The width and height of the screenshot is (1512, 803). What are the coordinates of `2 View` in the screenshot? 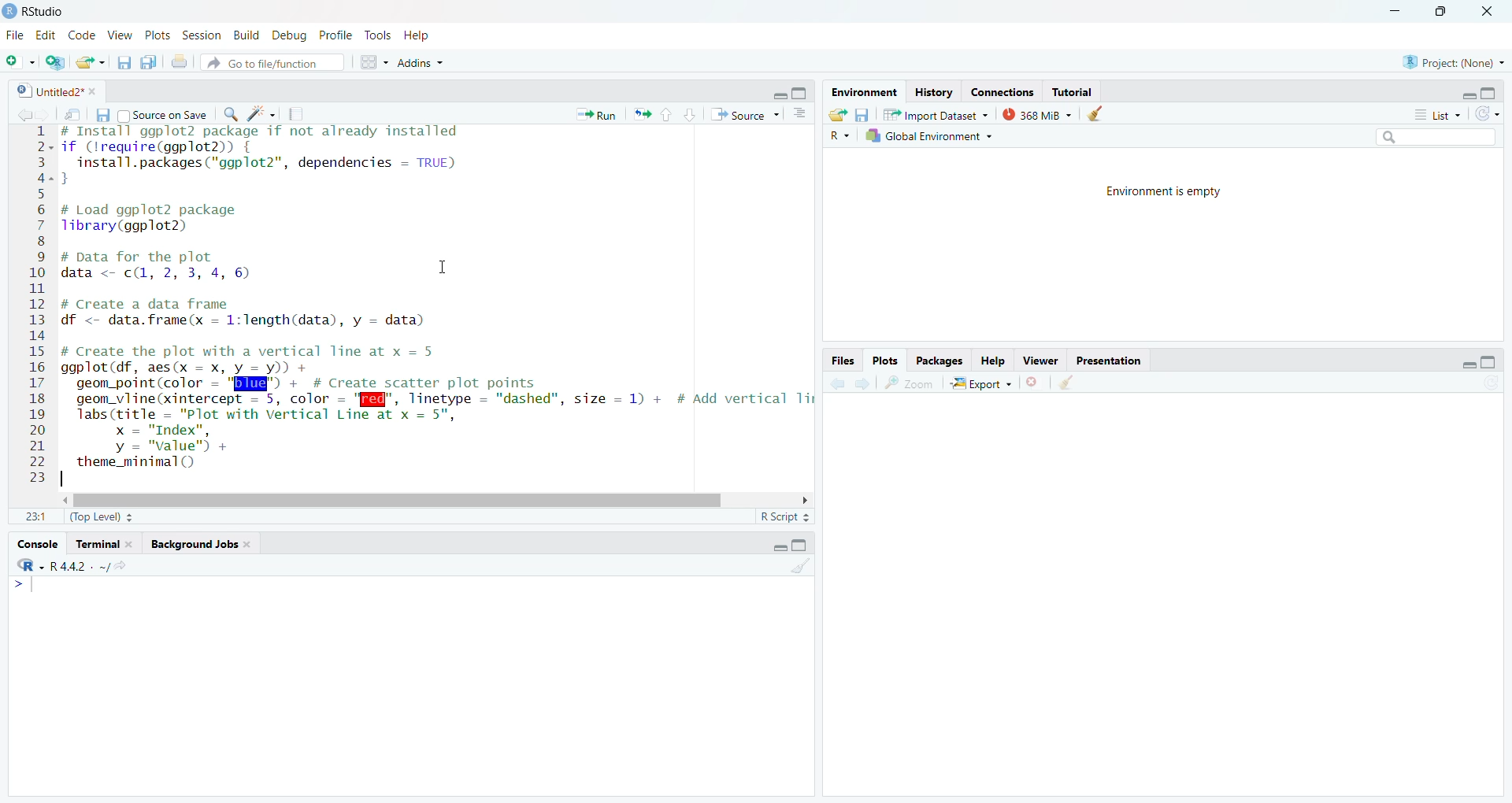 It's located at (120, 36).